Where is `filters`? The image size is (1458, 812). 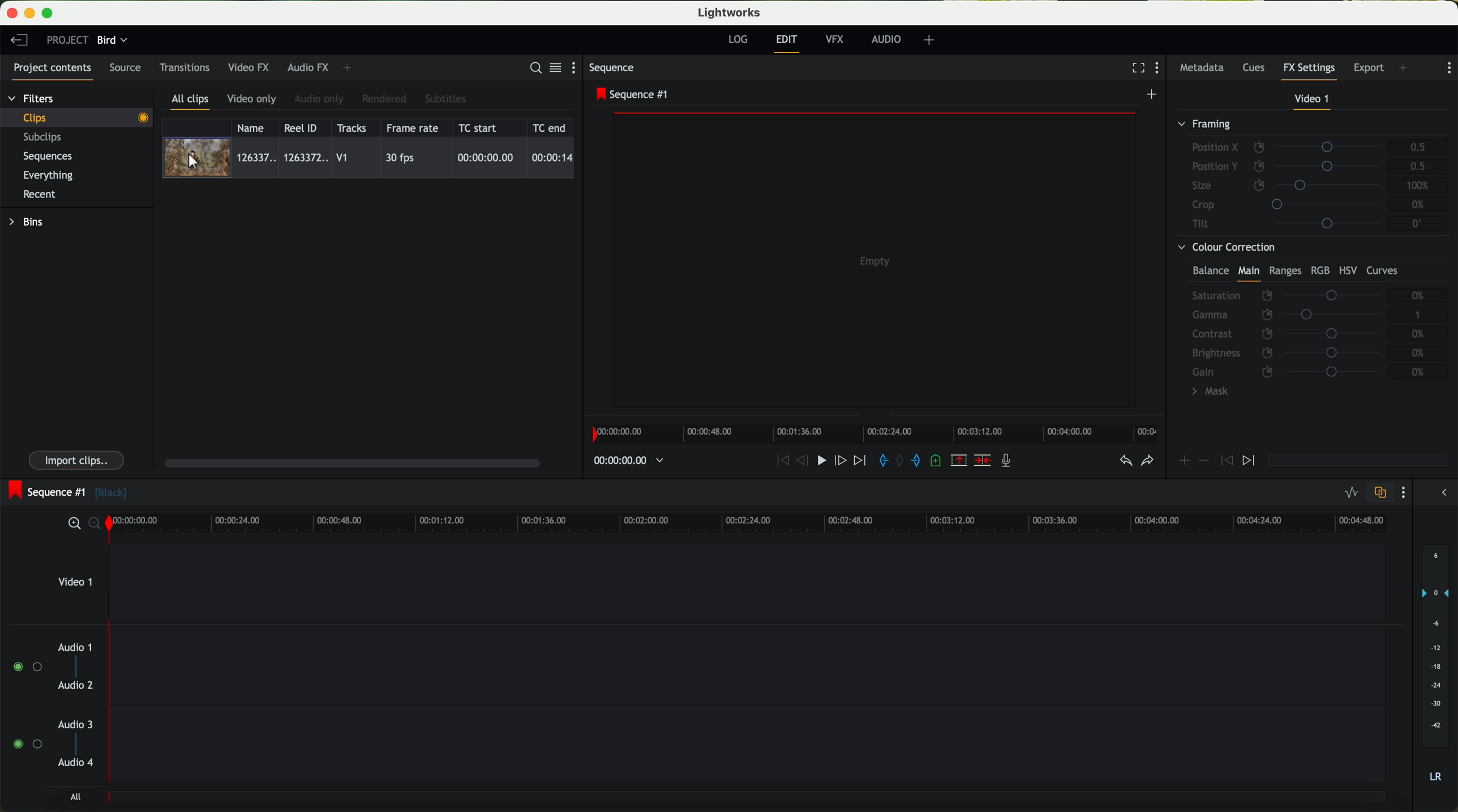
filters is located at coordinates (32, 98).